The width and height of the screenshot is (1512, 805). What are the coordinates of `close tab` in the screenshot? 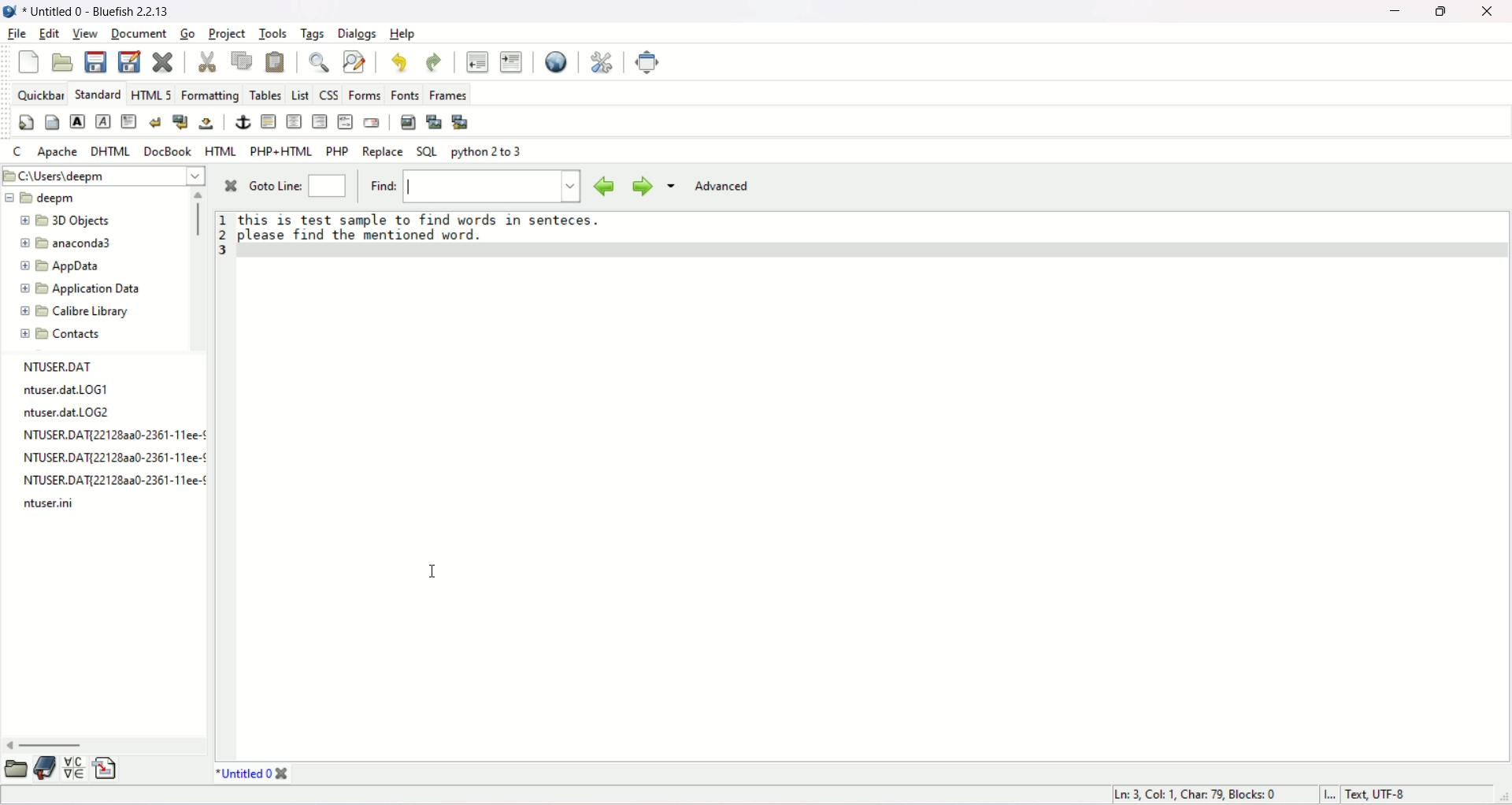 It's located at (283, 774).